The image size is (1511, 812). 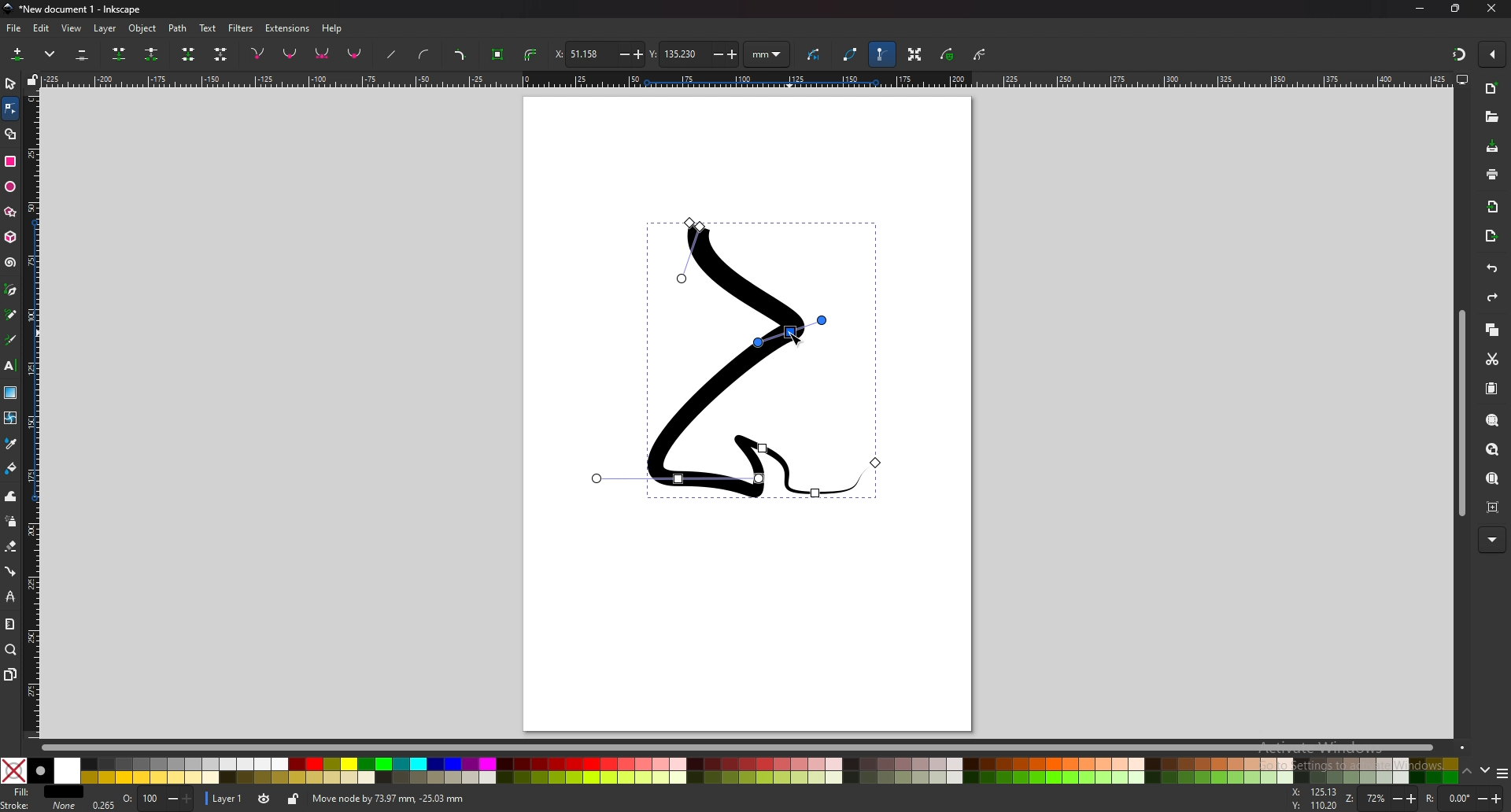 I want to click on cursor coordinates, so click(x=1317, y=799).